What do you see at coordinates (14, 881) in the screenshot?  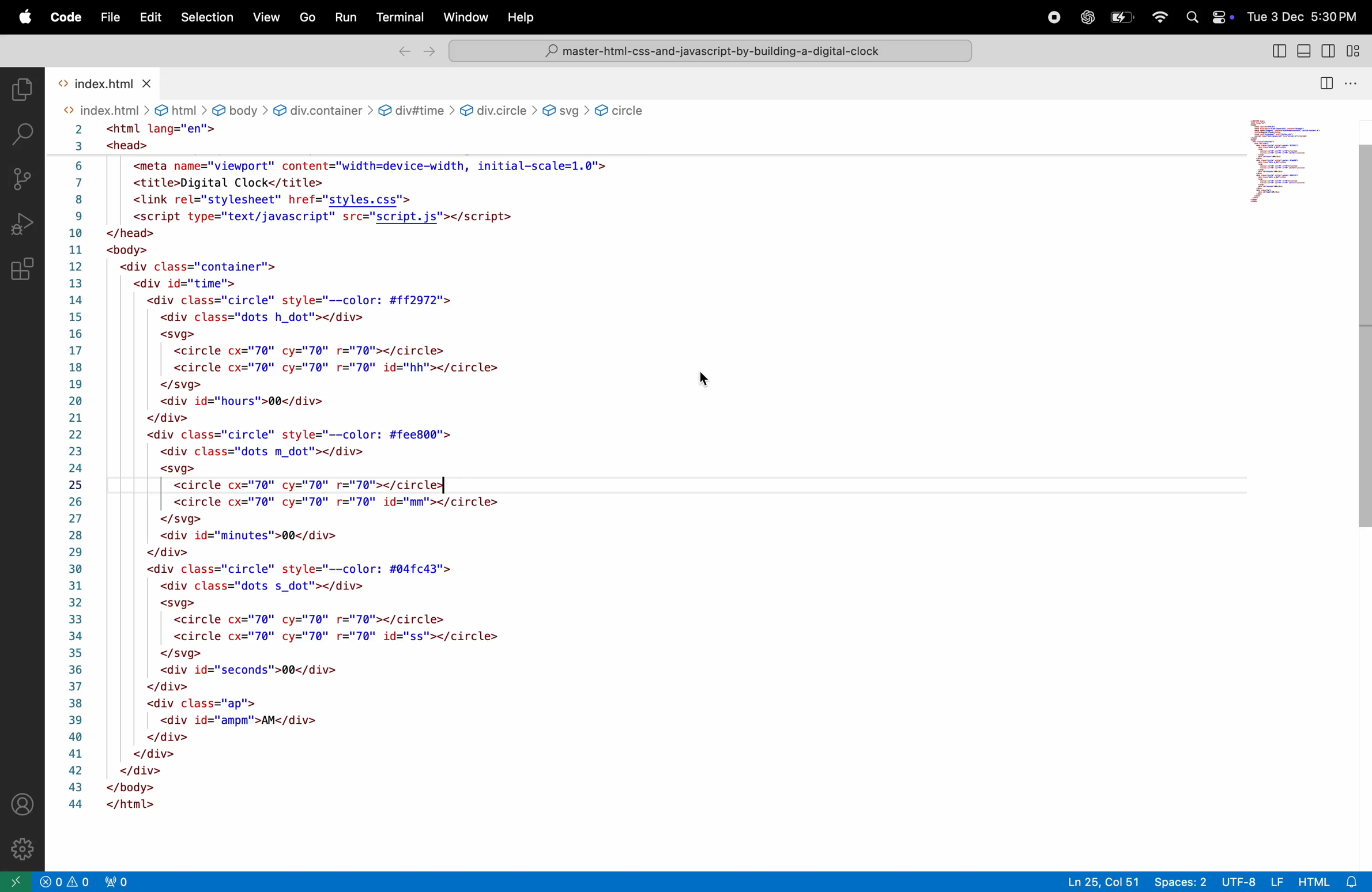 I see `new window` at bounding box center [14, 881].